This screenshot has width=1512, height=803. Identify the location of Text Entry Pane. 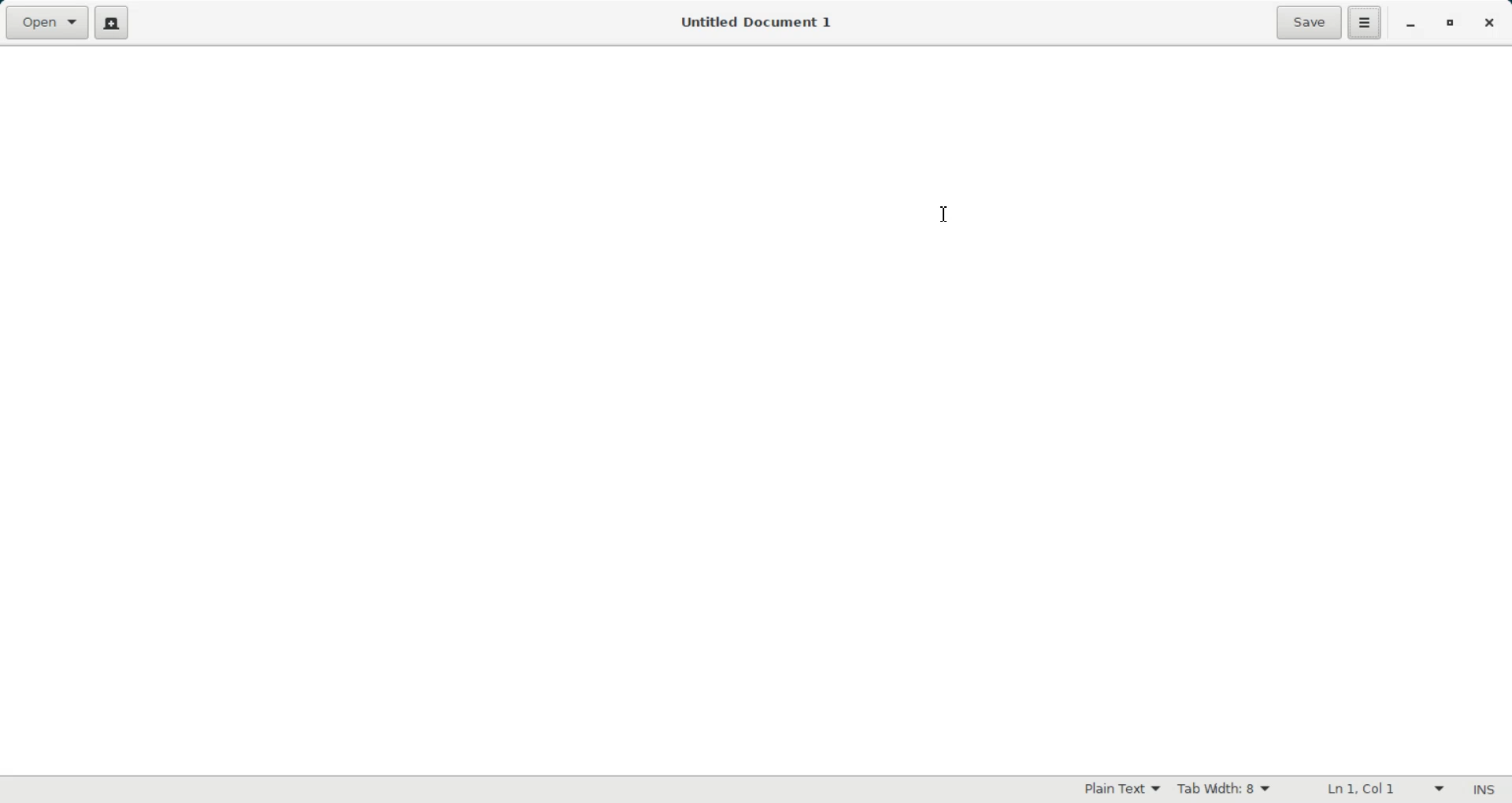
(755, 410).